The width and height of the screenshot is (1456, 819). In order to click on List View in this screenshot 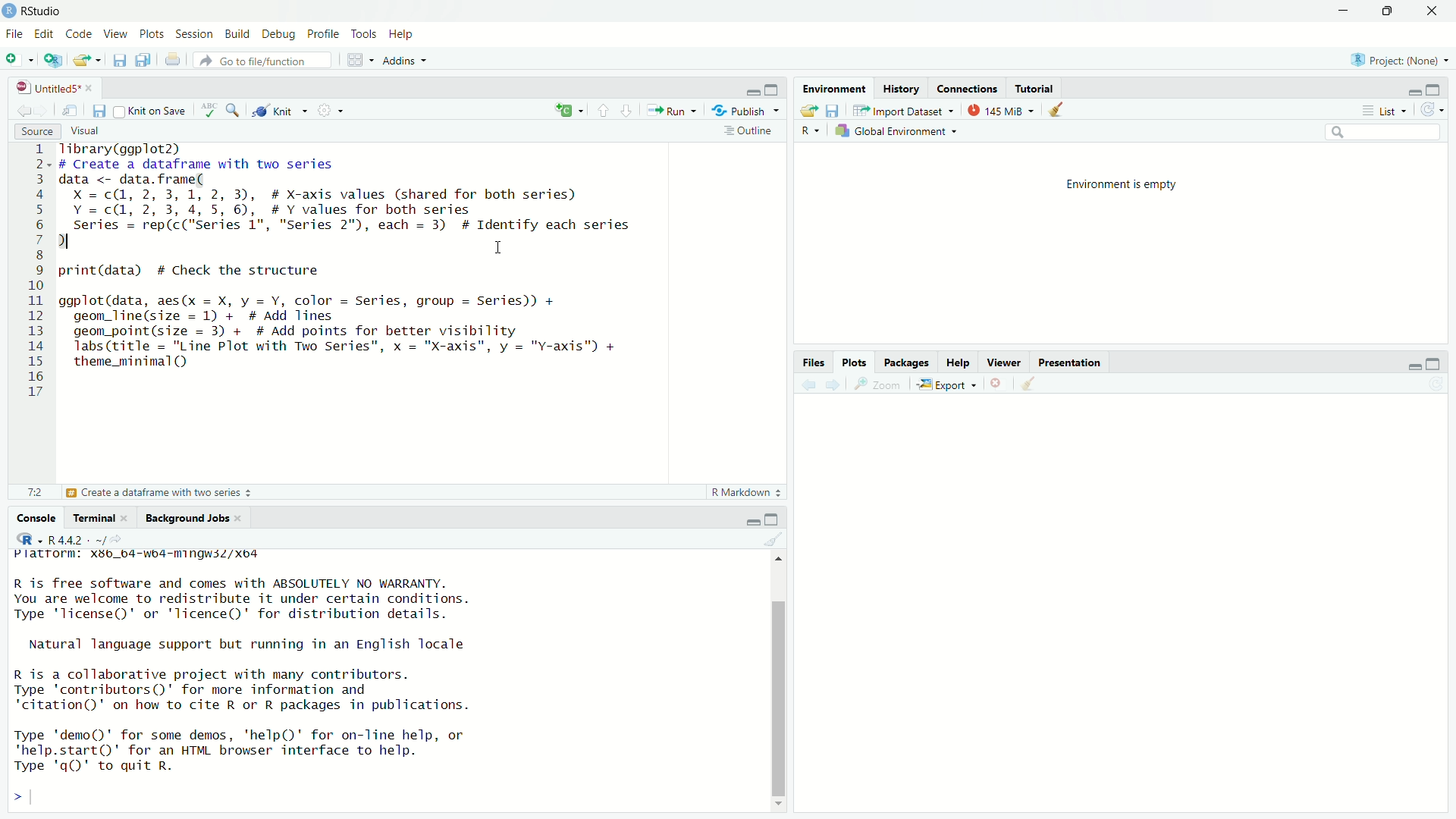, I will do `click(1382, 111)`.